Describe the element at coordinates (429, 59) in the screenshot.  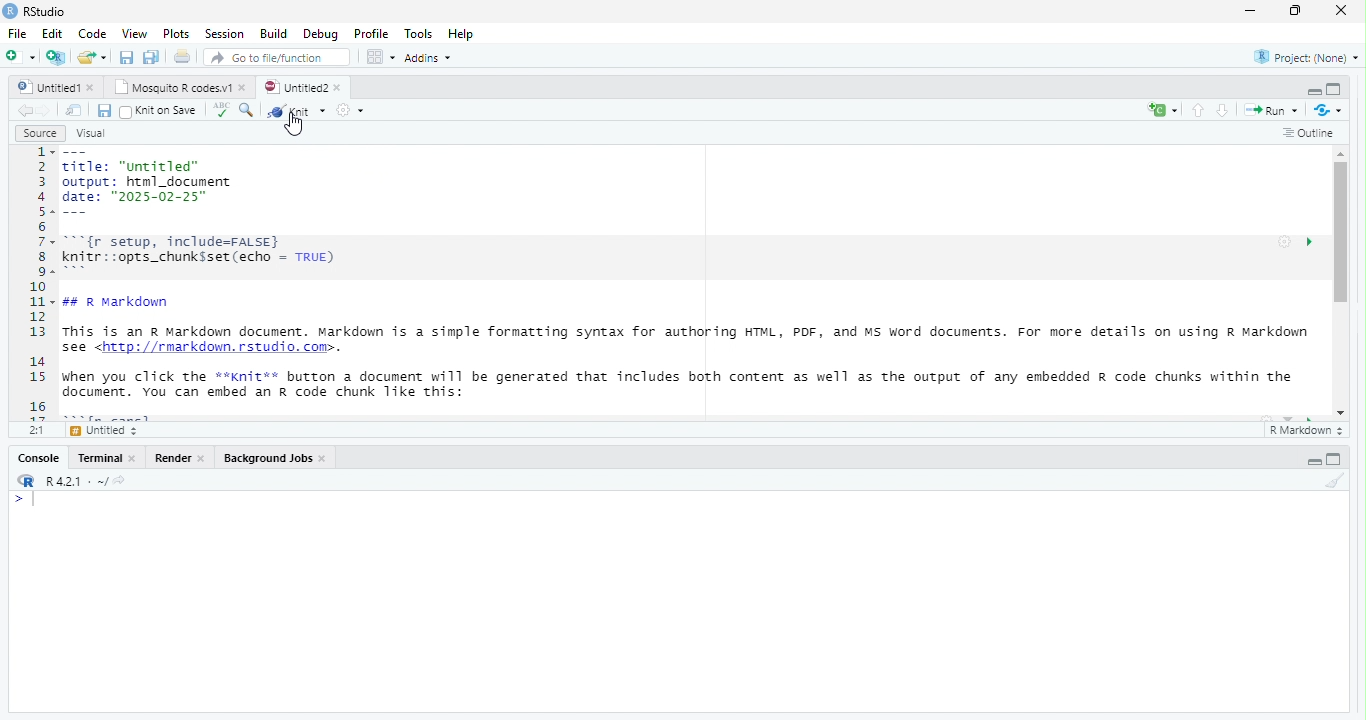
I see `Addins` at that location.